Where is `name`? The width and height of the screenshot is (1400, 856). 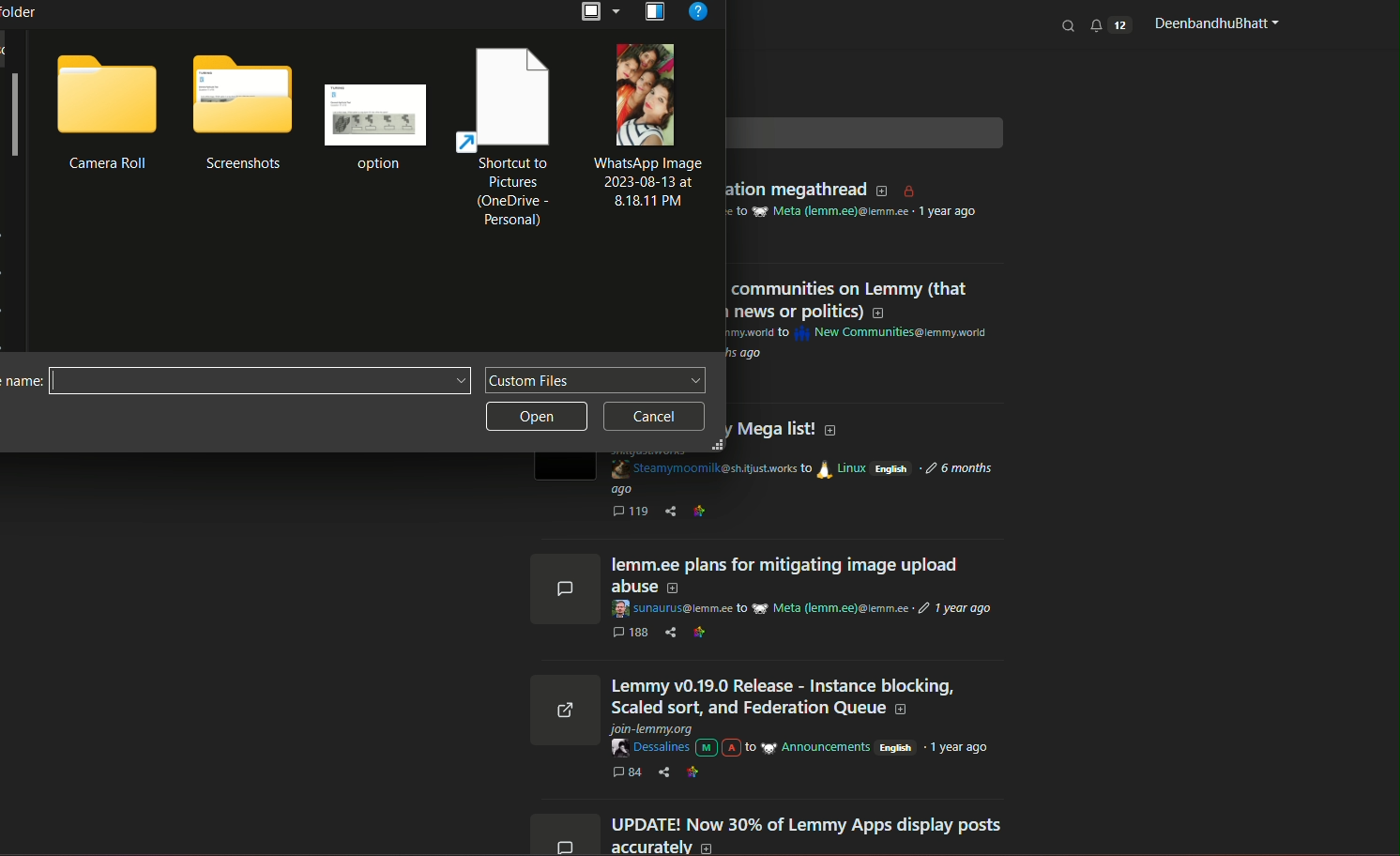 name is located at coordinates (21, 383).